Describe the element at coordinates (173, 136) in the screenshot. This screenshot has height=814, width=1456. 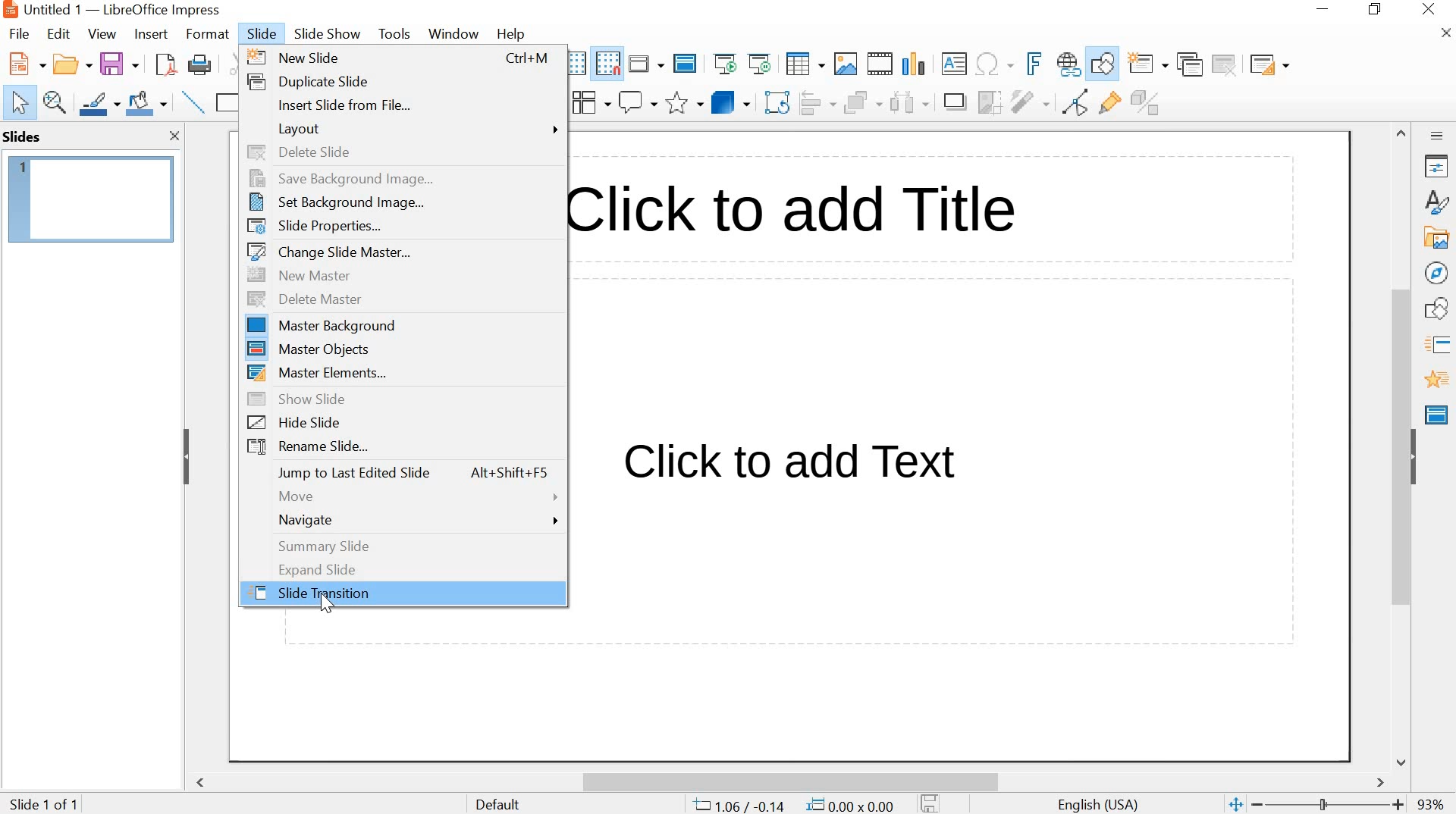
I see `CLOSE` at that location.